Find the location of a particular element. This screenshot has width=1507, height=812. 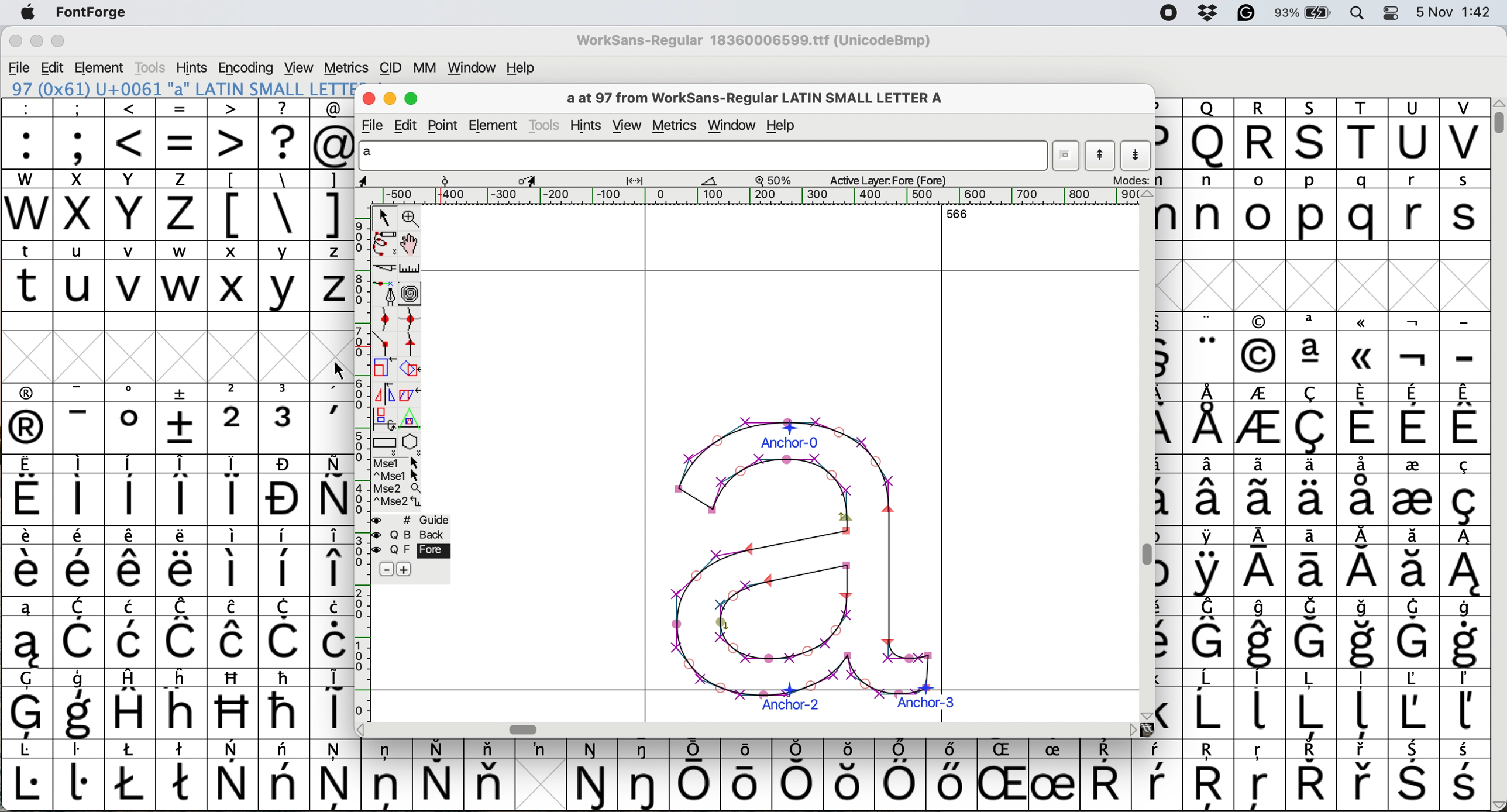

metrics is located at coordinates (346, 68).